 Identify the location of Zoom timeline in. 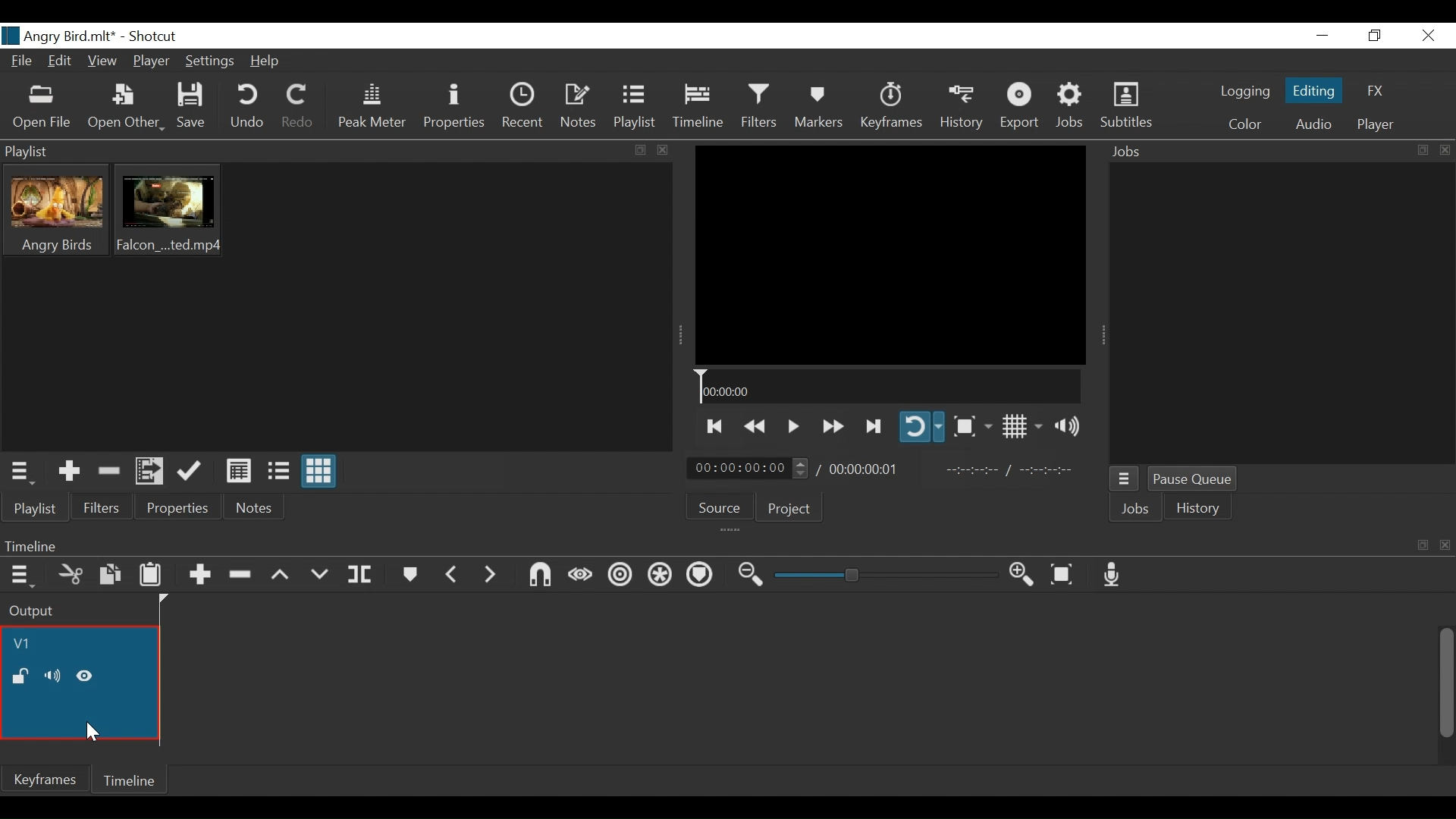
(1021, 574).